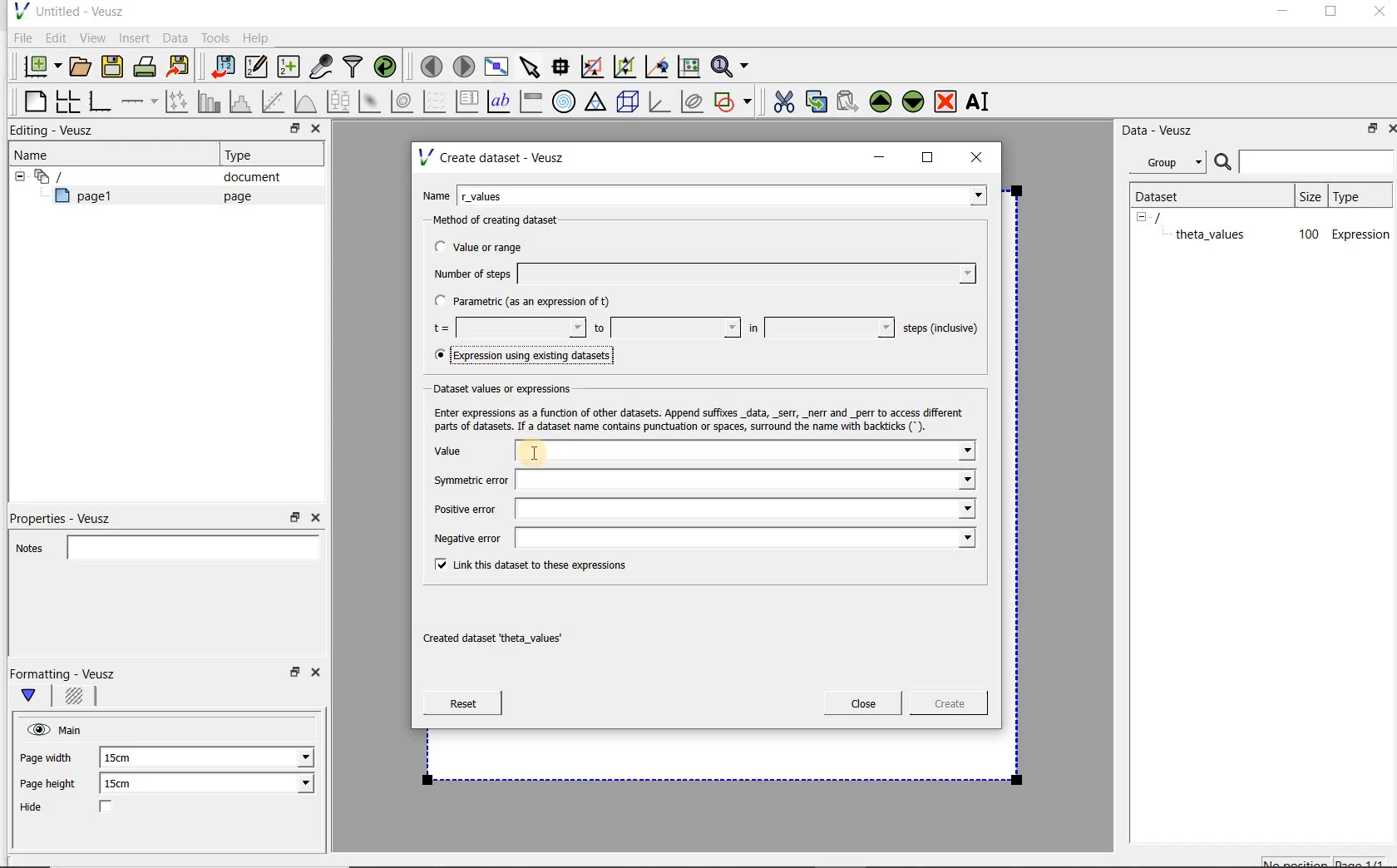 This screenshot has height=868, width=1397. Describe the element at coordinates (508, 220) in the screenshot. I see `Method of creating dataset:` at that location.